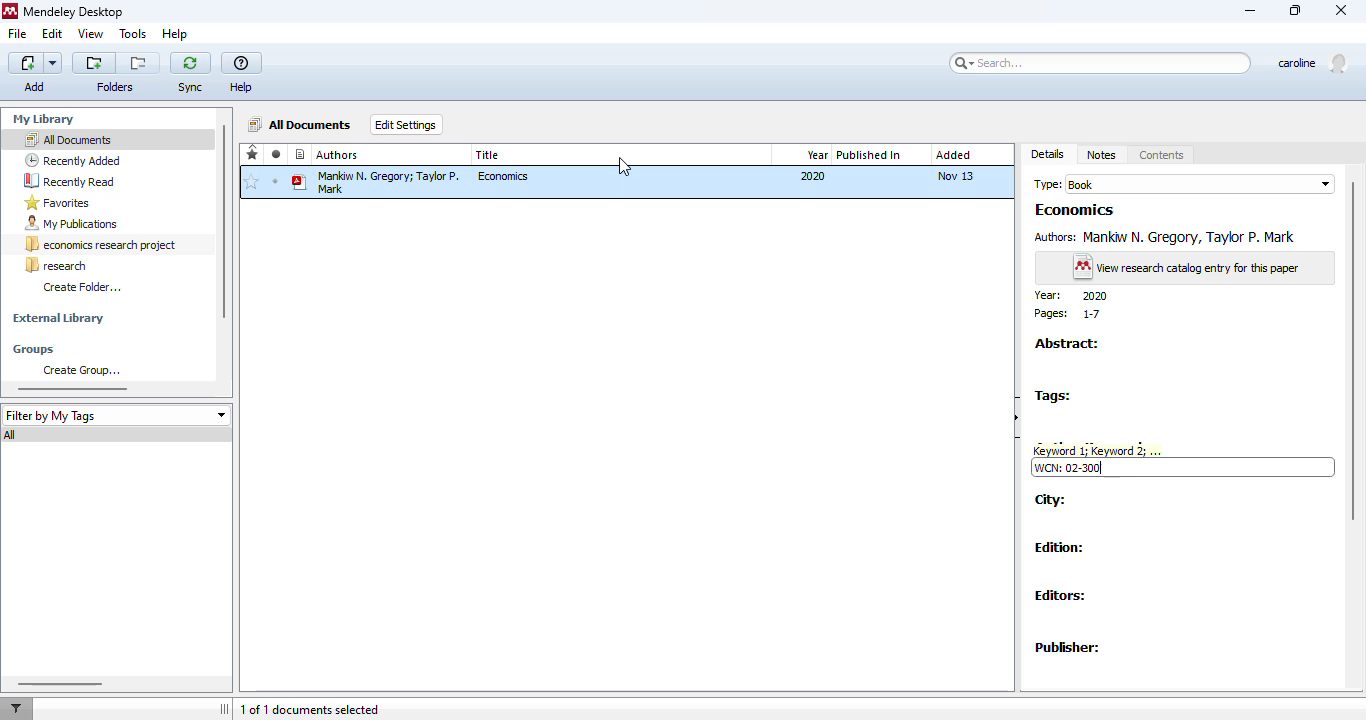 Image resolution: width=1366 pixels, height=720 pixels. Describe the element at coordinates (190, 74) in the screenshot. I see `sync` at that location.